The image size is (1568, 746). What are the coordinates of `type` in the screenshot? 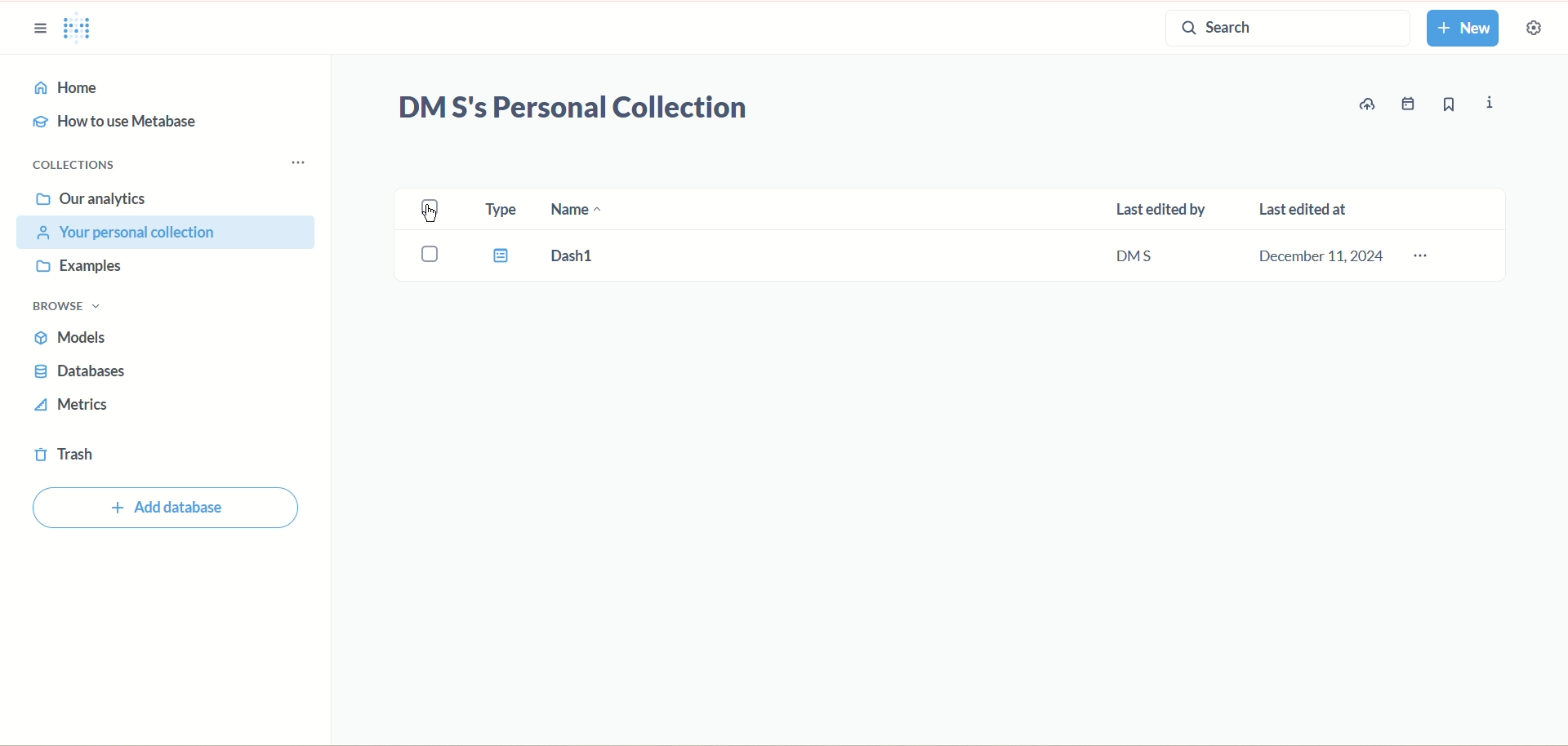 It's located at (498, 208).